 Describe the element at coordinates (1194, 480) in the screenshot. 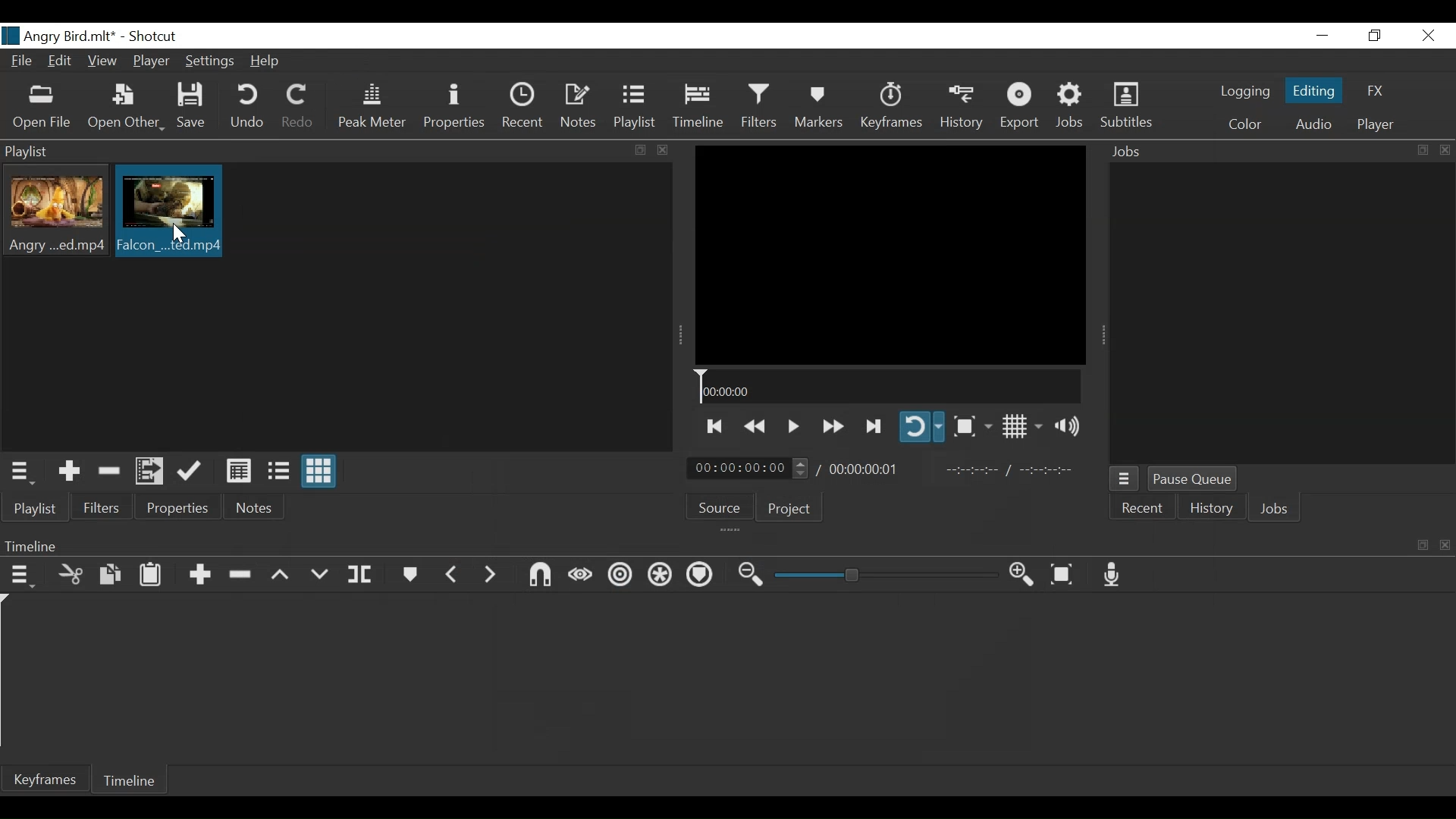

I see `Pause Queue` at that location.